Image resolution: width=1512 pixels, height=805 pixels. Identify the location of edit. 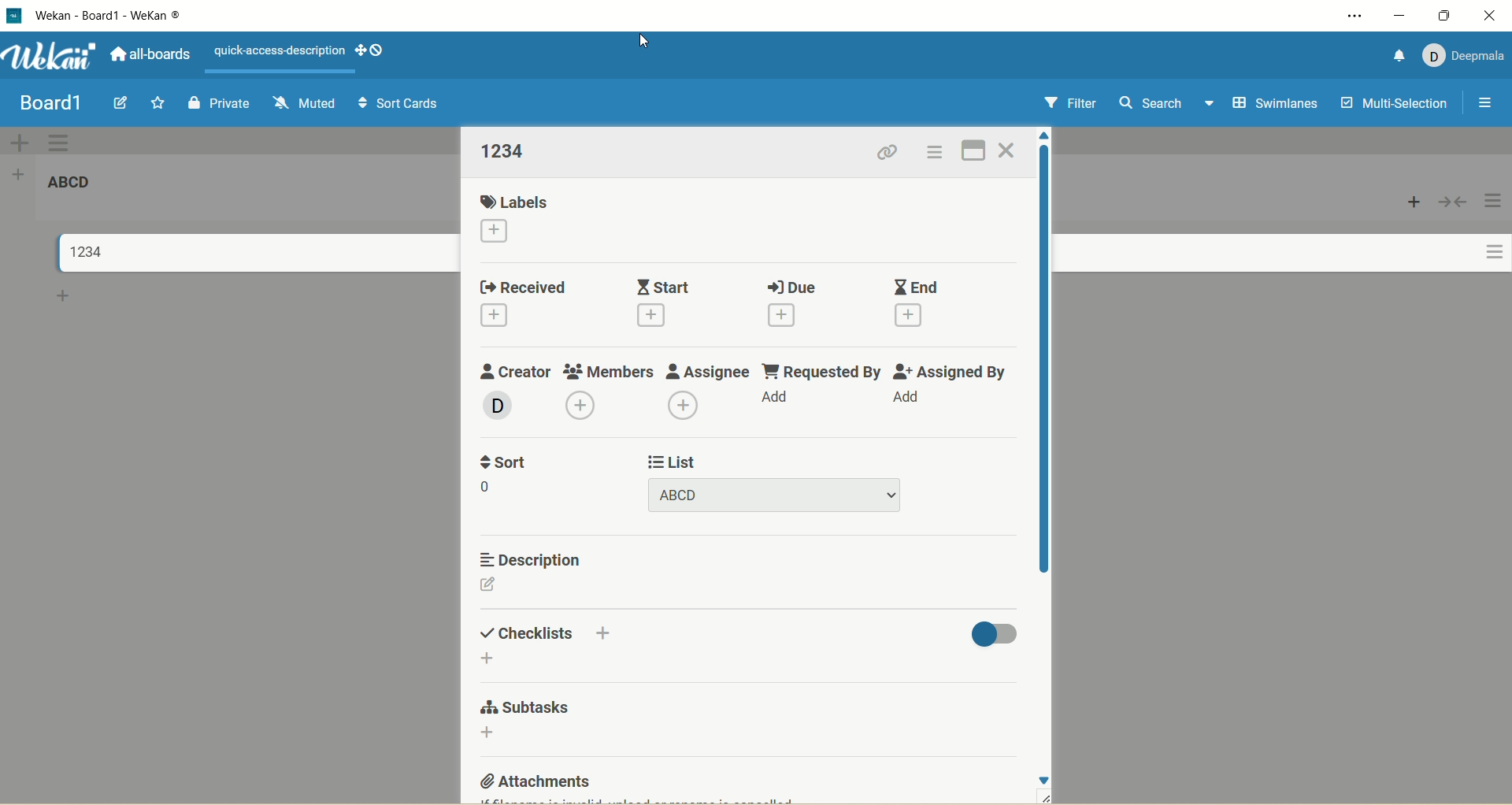
(491, 587).